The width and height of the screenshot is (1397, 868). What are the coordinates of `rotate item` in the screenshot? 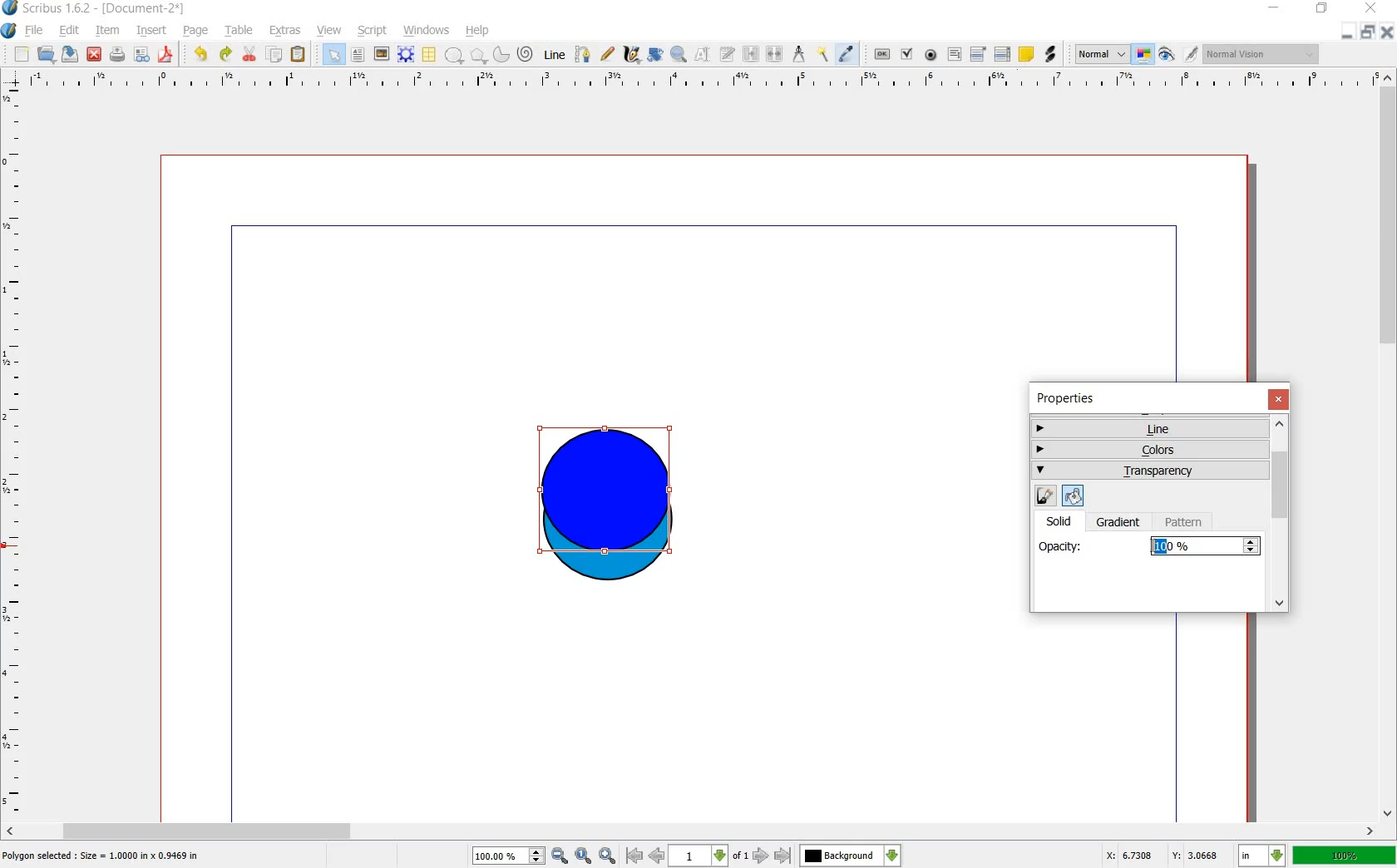 It's located at (655, 55).